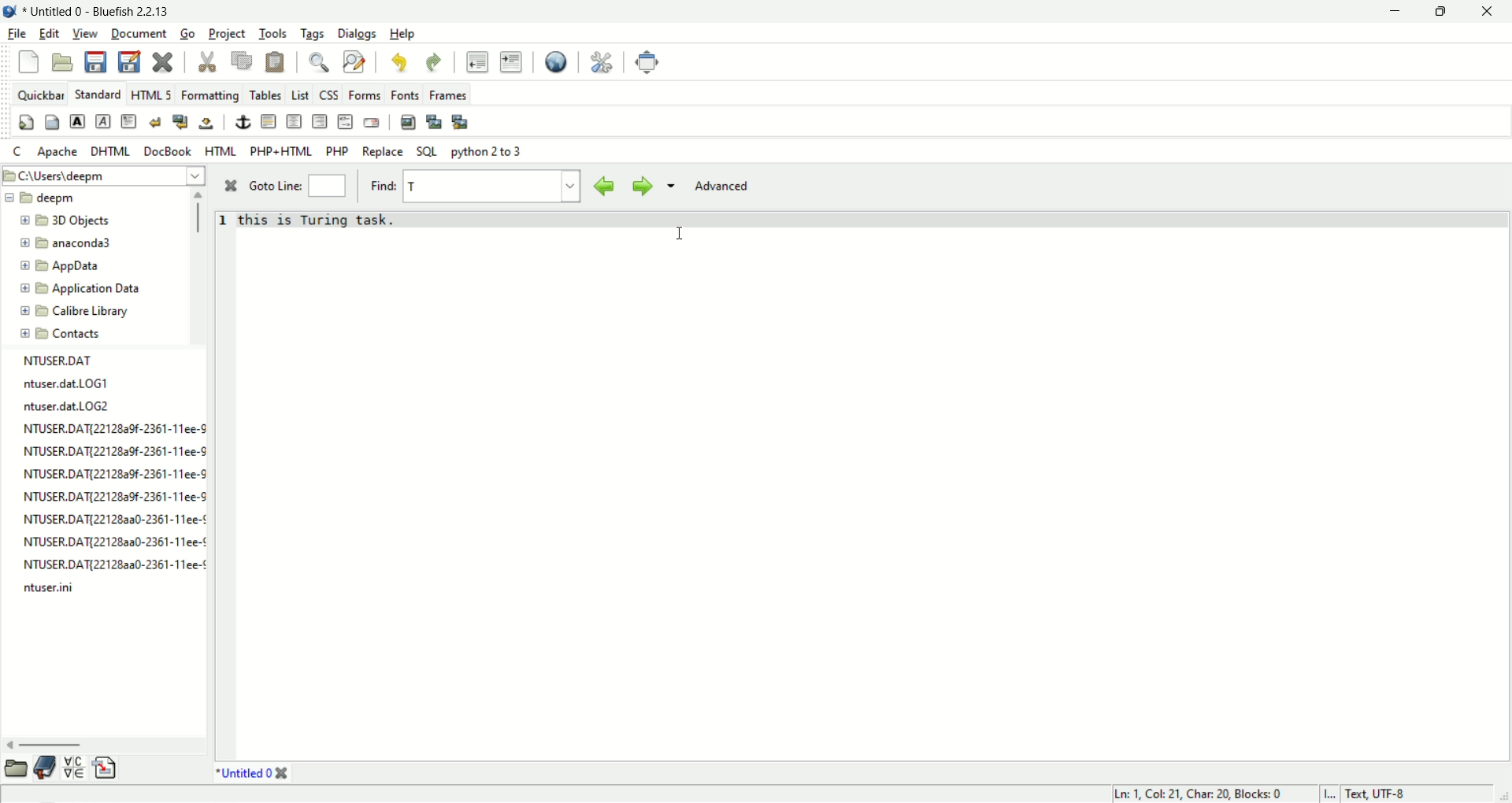  Describe the element at coordinates (105, 122) in the screenshot. I see `emphasis` at that location.